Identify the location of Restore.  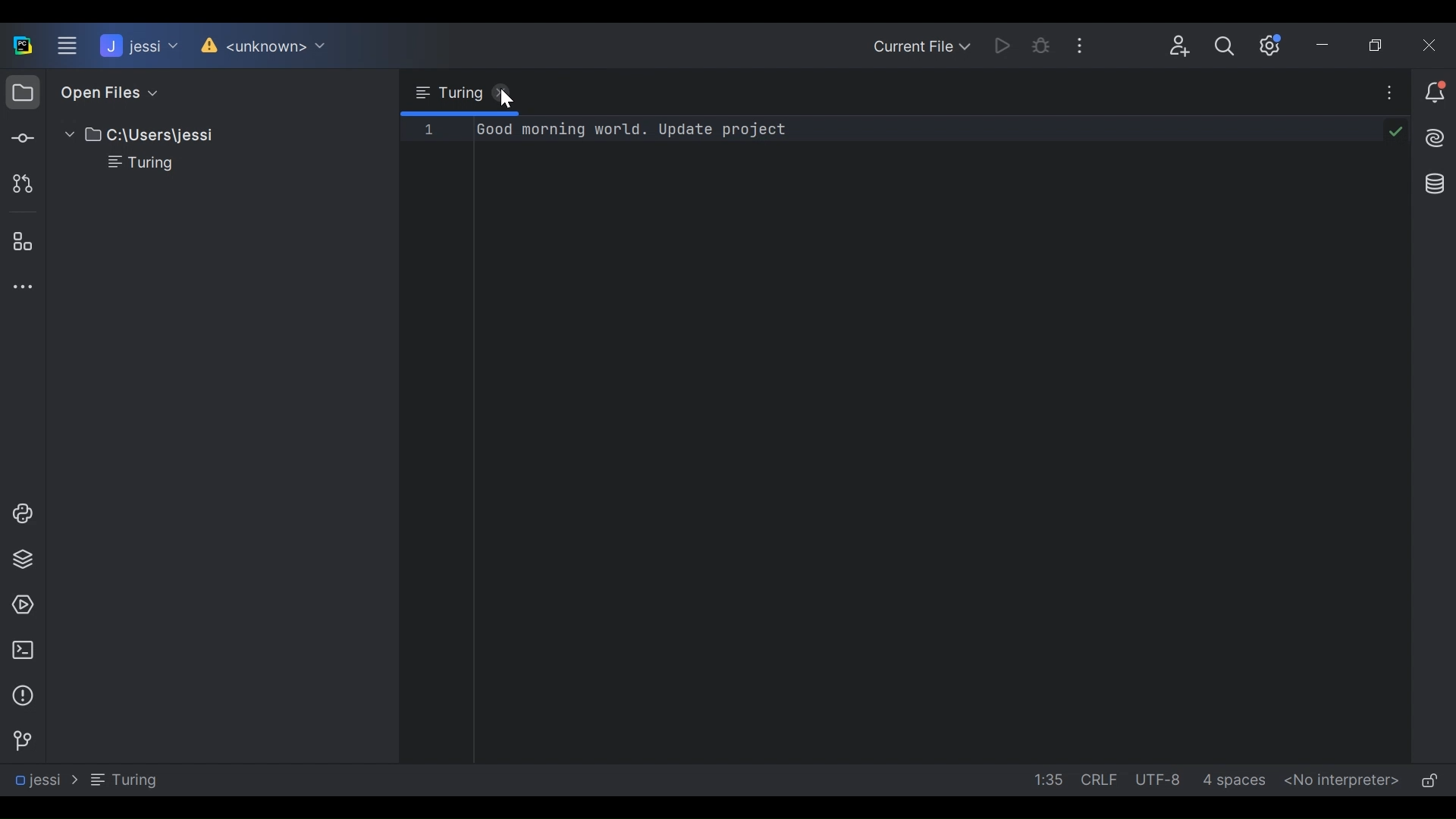
(1380, 45).